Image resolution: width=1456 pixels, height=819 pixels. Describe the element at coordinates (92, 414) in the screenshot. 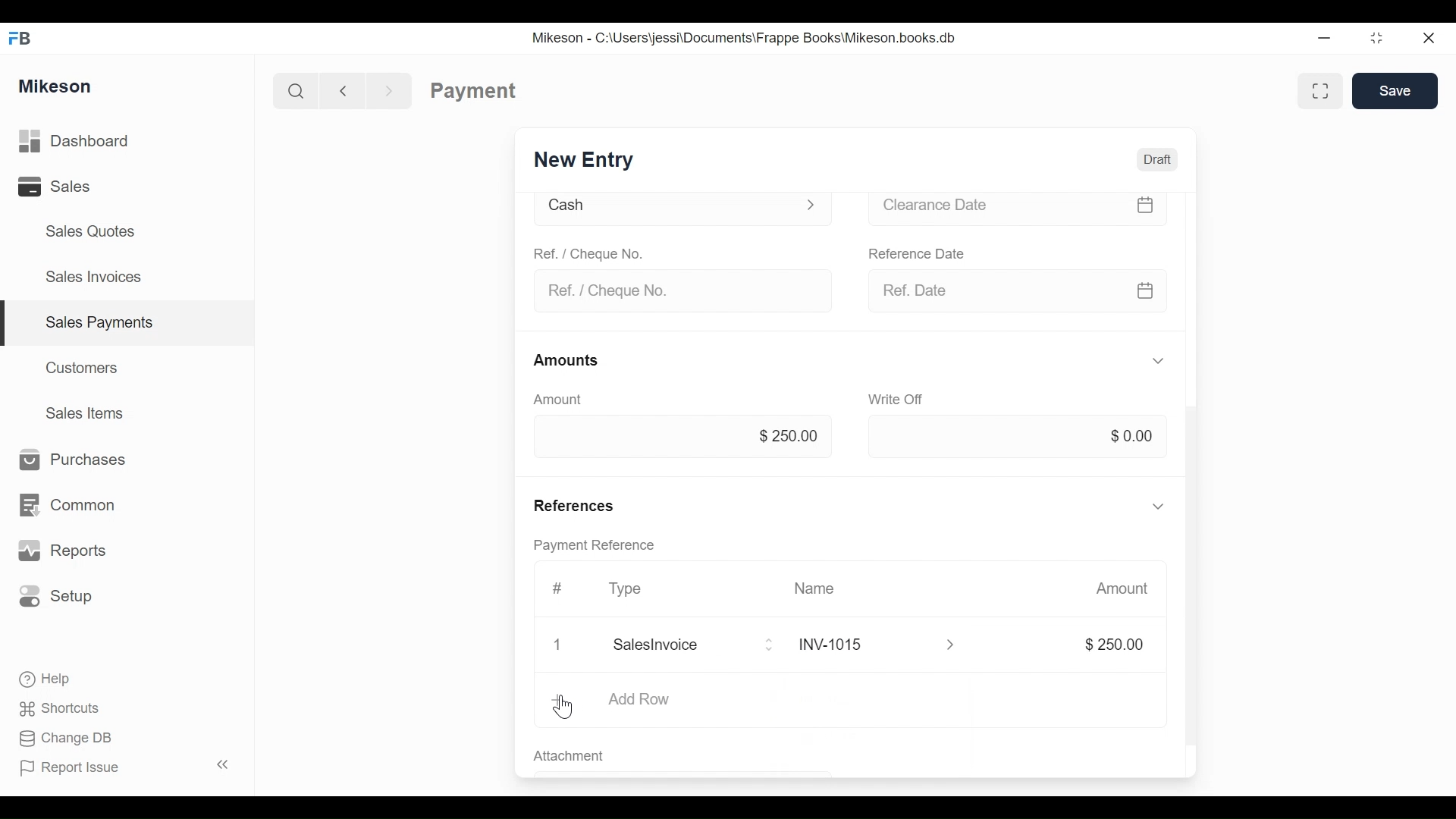

I see `Sales Items` at that location.